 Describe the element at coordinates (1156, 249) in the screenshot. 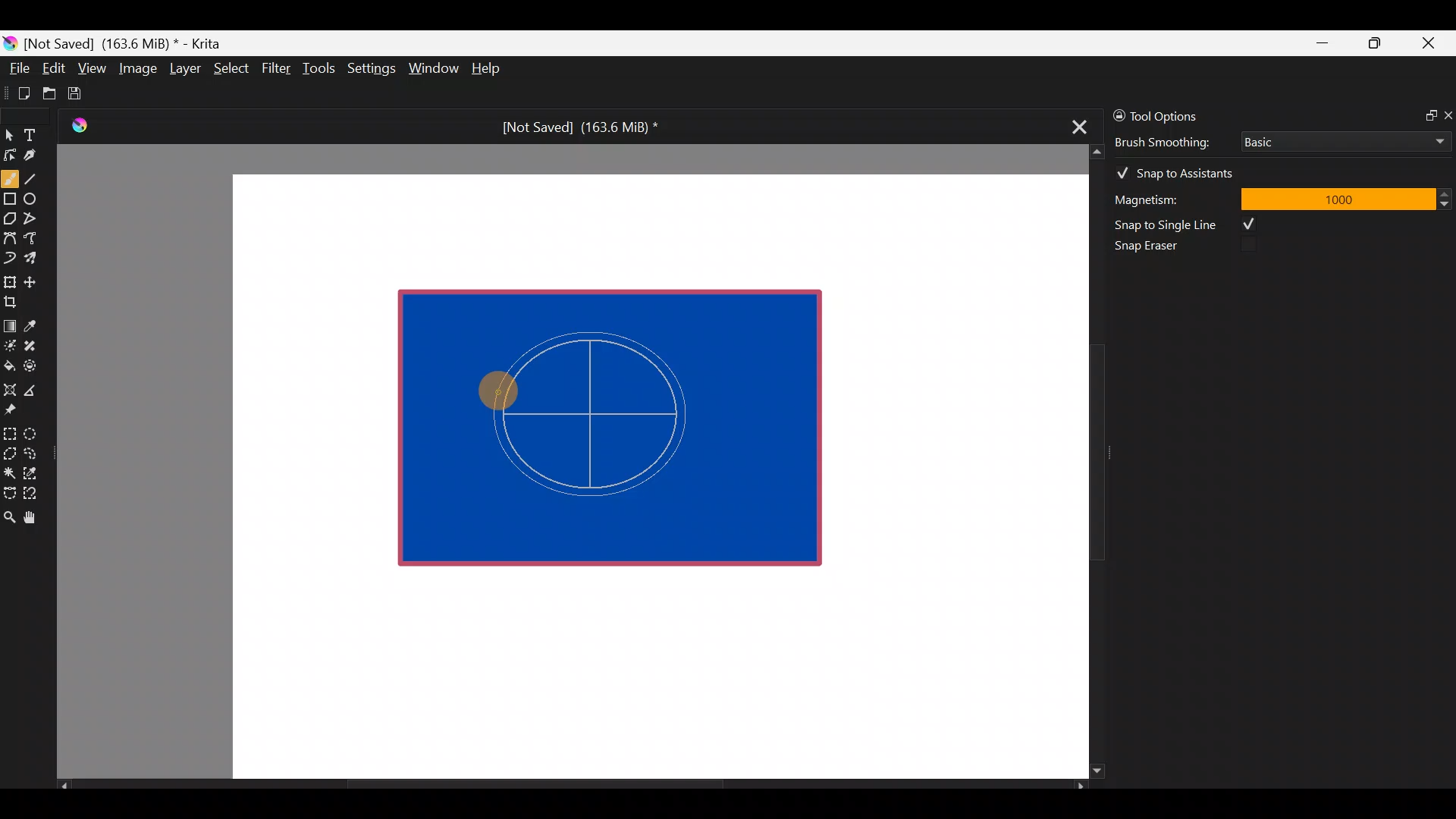

I see `Snap eraser` at that location.